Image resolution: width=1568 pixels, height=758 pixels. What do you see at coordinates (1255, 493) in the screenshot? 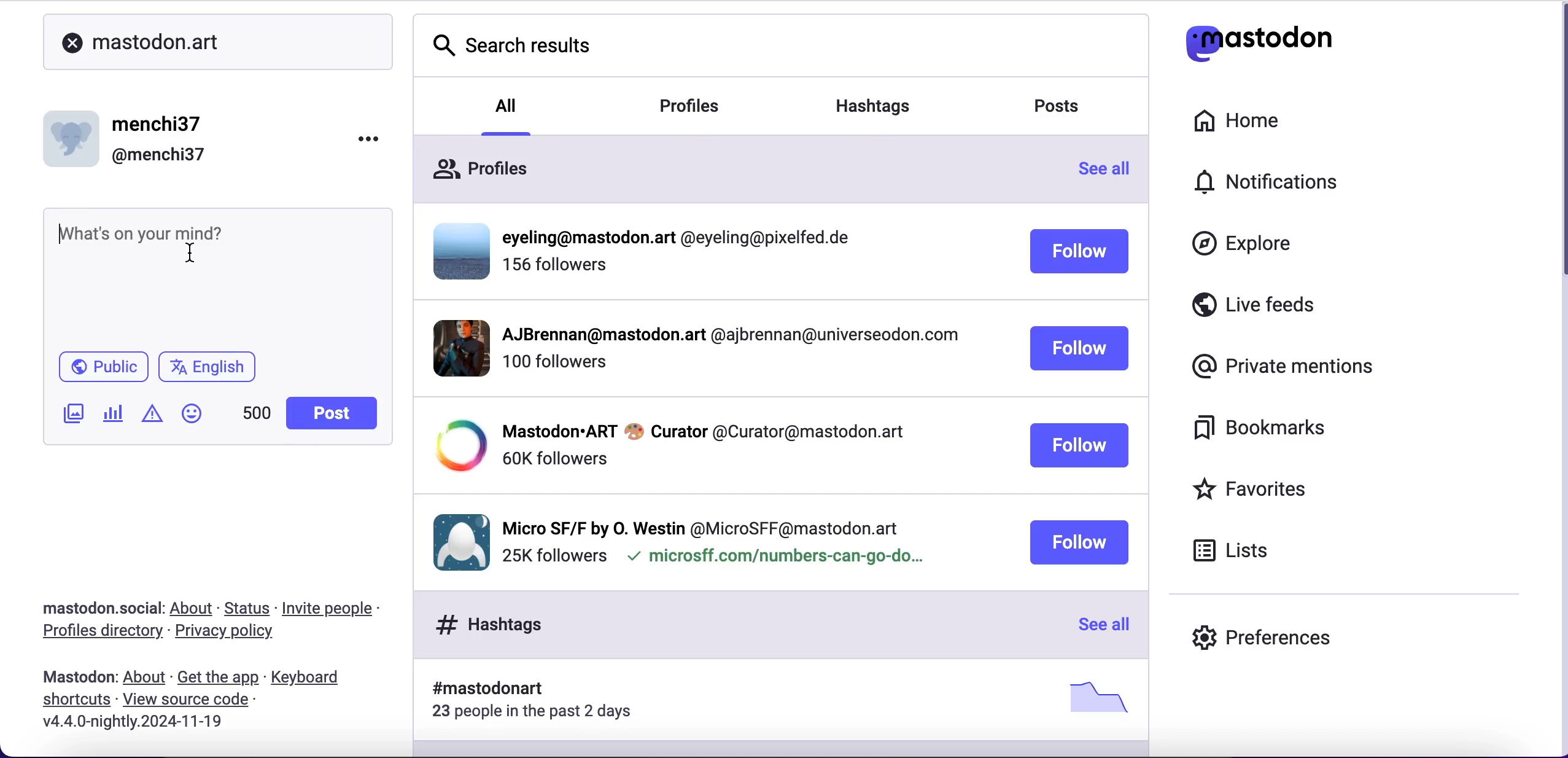
I see `favorites` at bounding box center [1255, 493].